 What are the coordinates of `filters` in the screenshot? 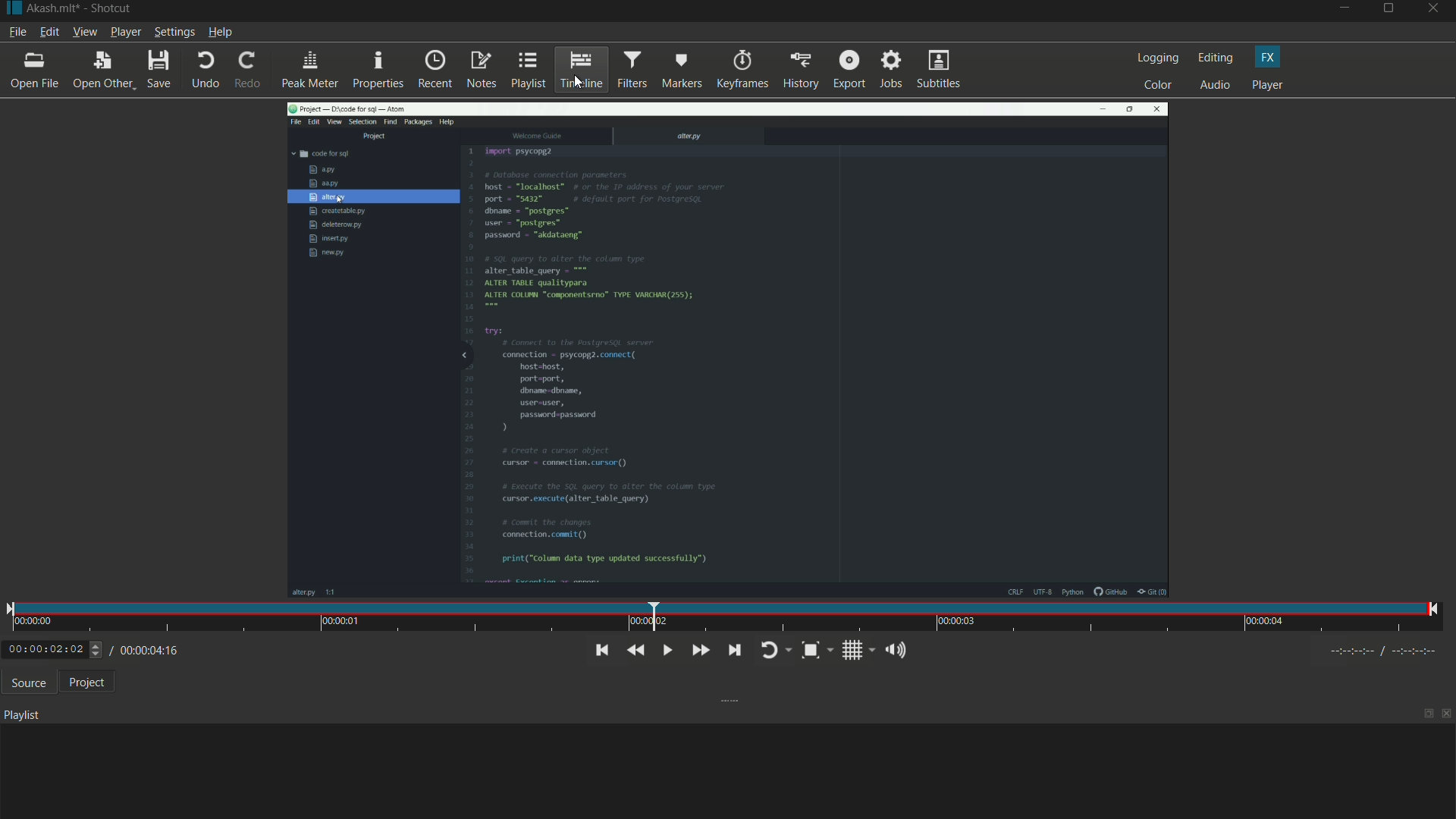 It's located at (632, 69).